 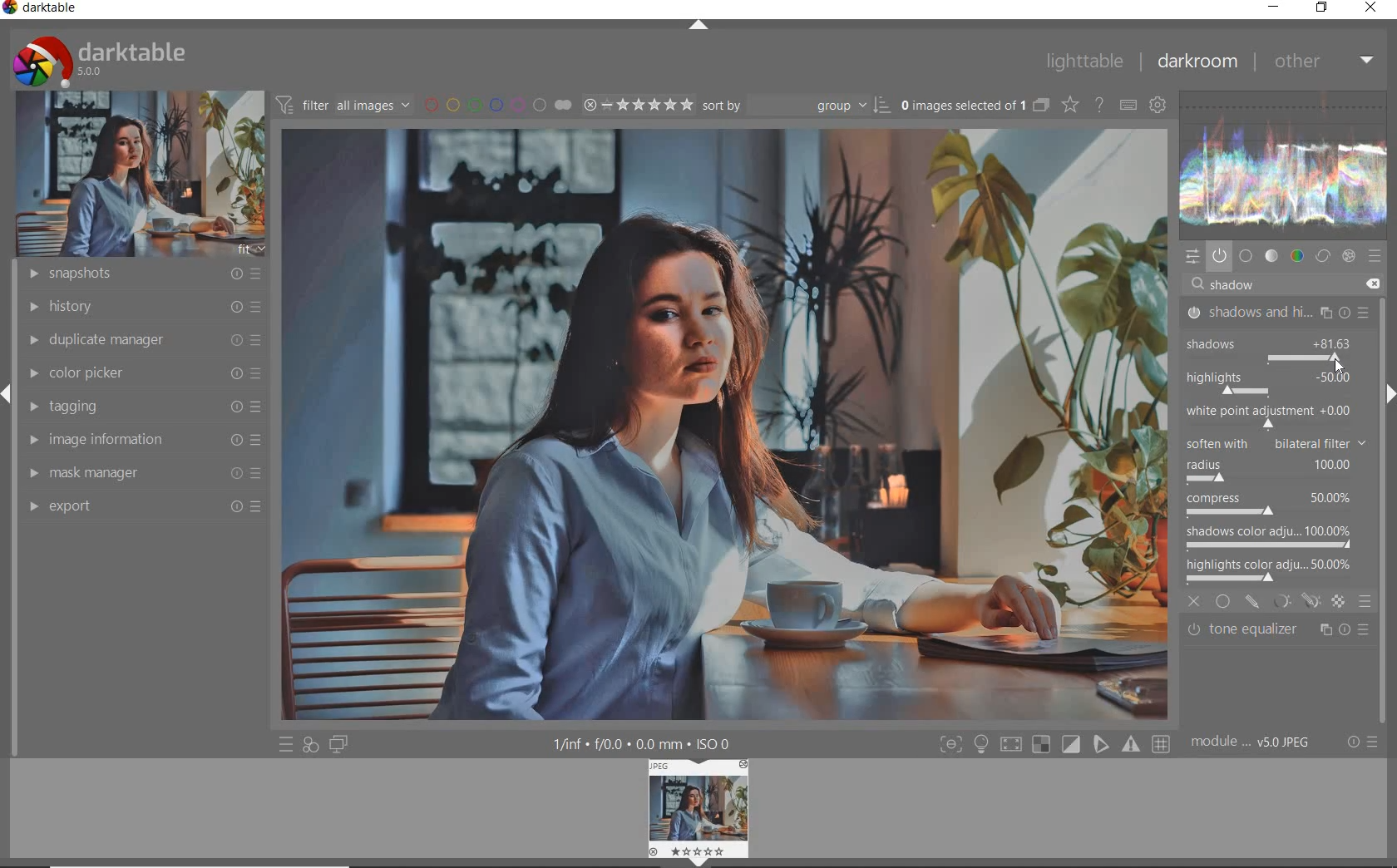 What do you see at coordinates (144, 475) in the screenshot?
I see `mask manager` at bounding box center [144, 475].